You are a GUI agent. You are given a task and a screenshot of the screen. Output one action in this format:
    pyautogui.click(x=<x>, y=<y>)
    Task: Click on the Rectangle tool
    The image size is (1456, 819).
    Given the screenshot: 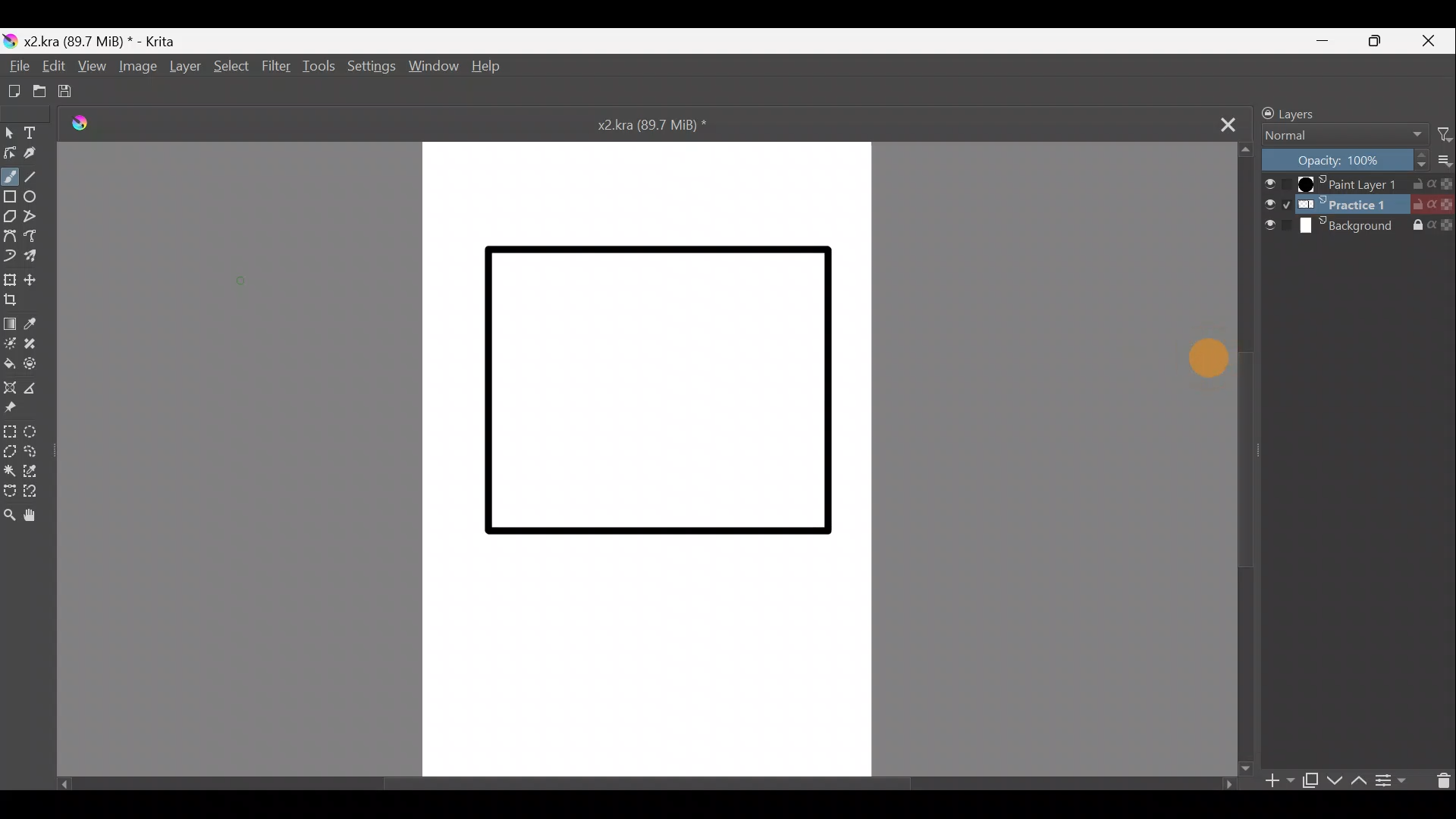 What is the action you would take?
    pyautogui.click(x=10, y=198)
    